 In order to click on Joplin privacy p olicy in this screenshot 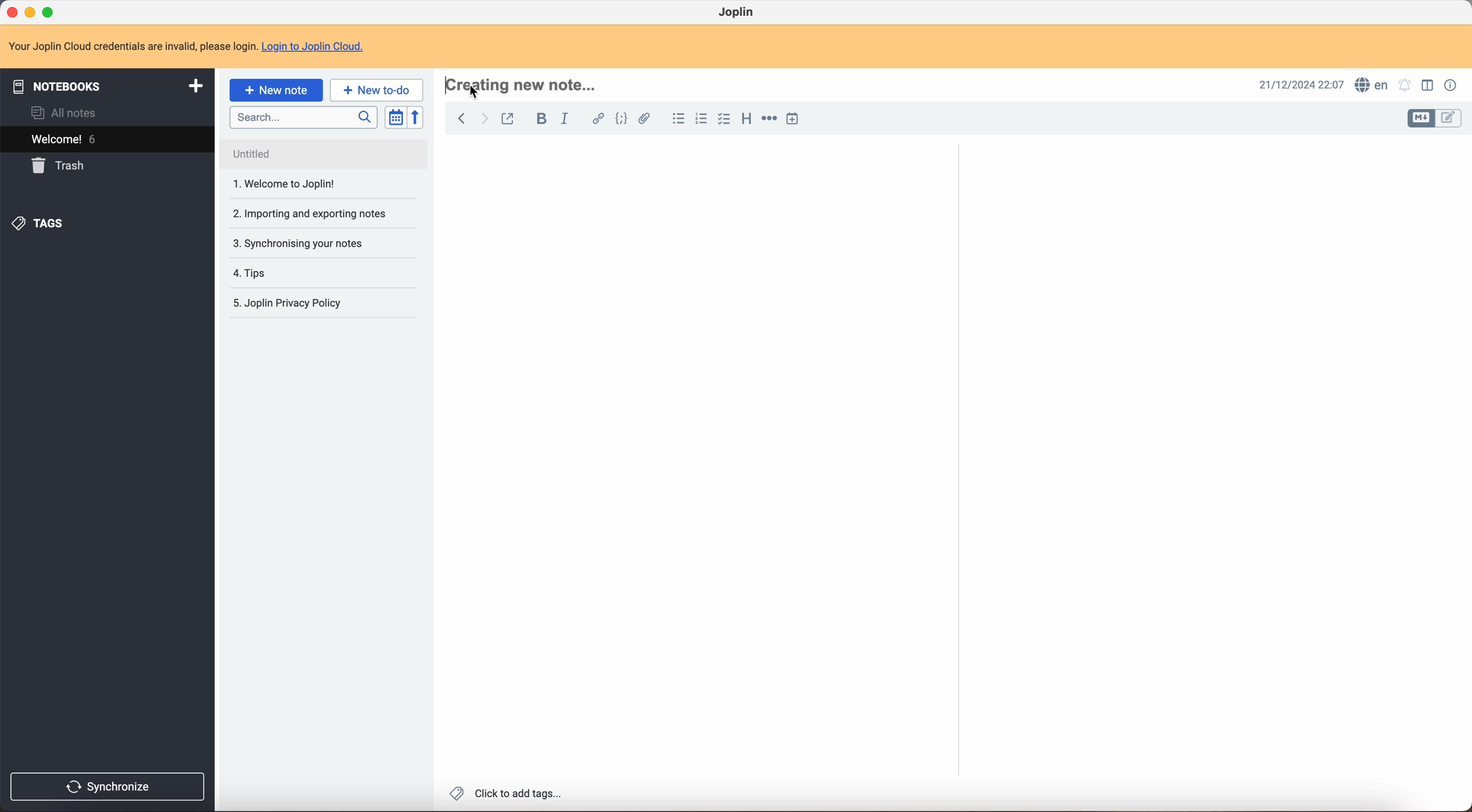, I will do `click(286, 303)`.